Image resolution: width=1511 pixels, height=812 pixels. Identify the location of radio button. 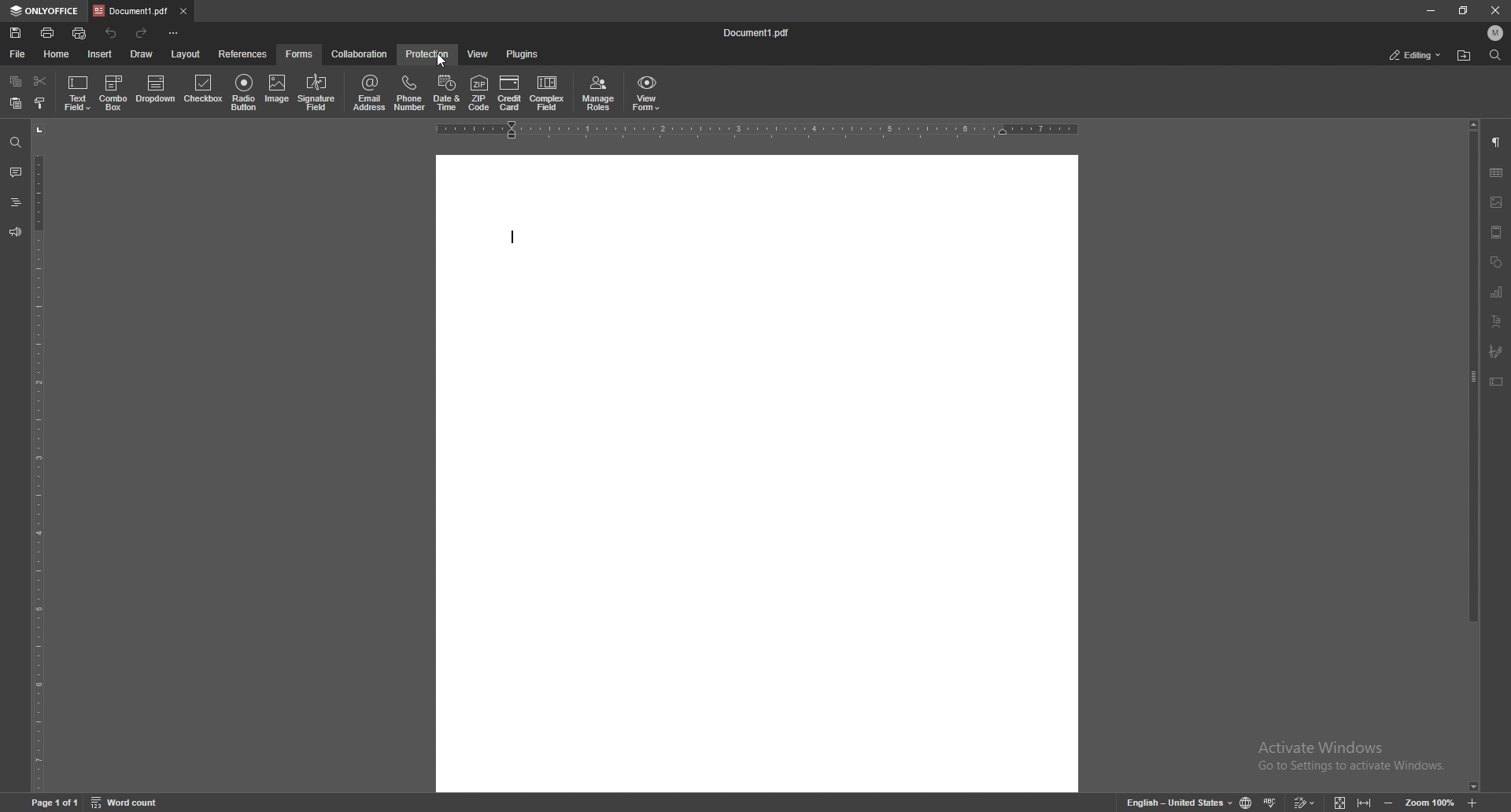
(244, 92).